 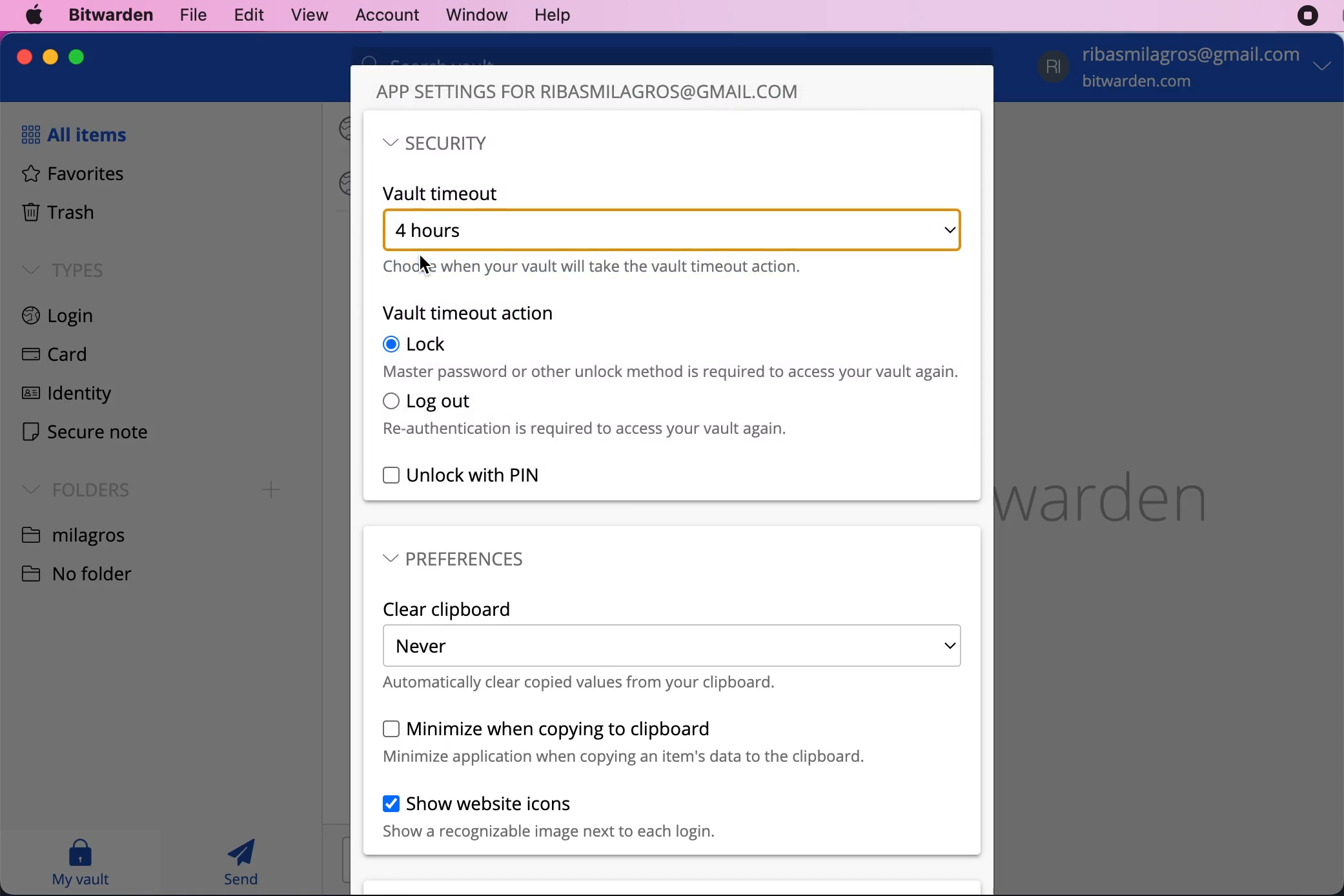 What do you see at coordinates (303, 15) in the screenshot?
I see `view` at bounding box center [303, 15].